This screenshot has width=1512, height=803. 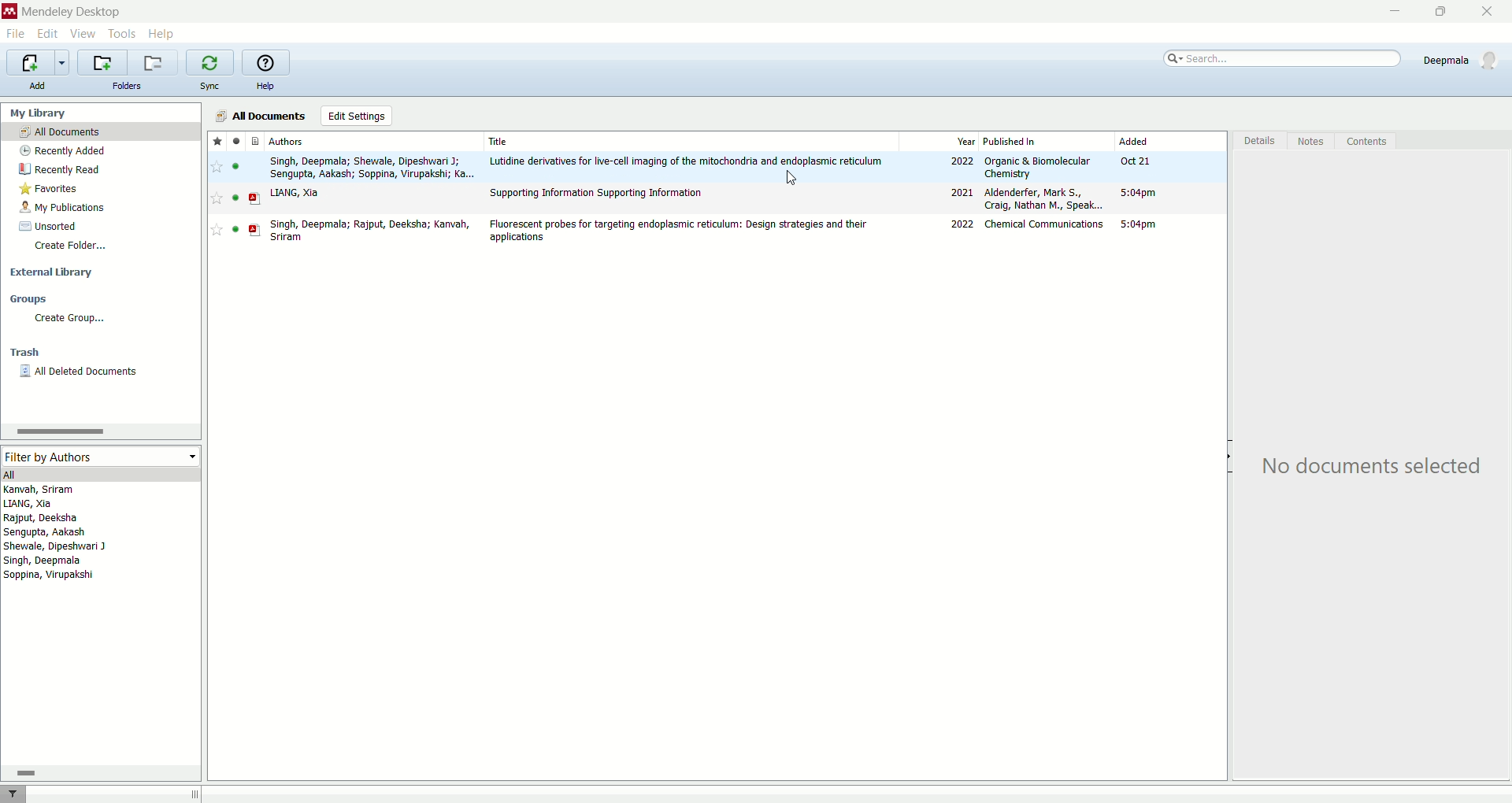 I want to click on year, so click(x=966, y=142).